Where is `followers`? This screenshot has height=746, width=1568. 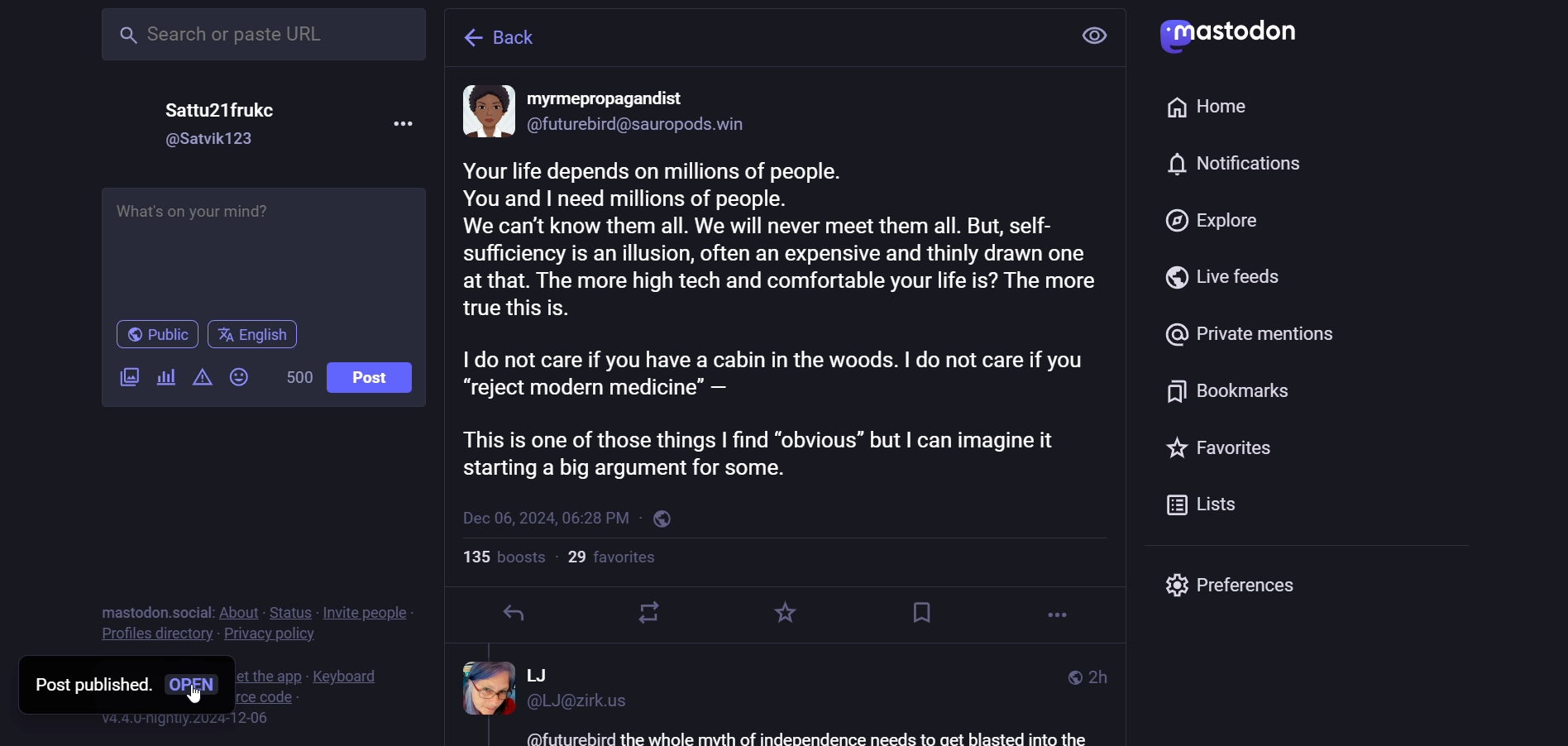
followers is located at coordinates (615, 560).